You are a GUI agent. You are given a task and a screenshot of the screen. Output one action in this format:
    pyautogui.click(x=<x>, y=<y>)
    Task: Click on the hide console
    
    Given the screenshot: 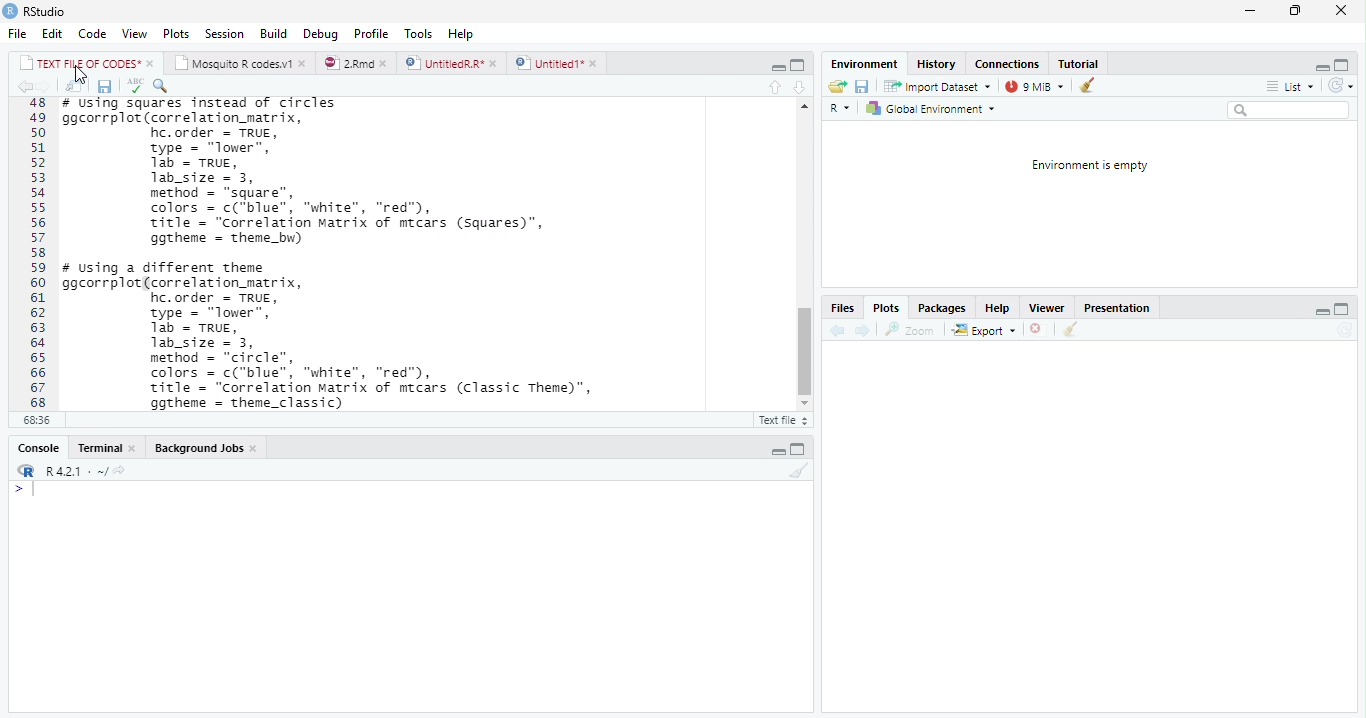 What is the action you would take?
    pyautogui.click(x=800, y=447)
    